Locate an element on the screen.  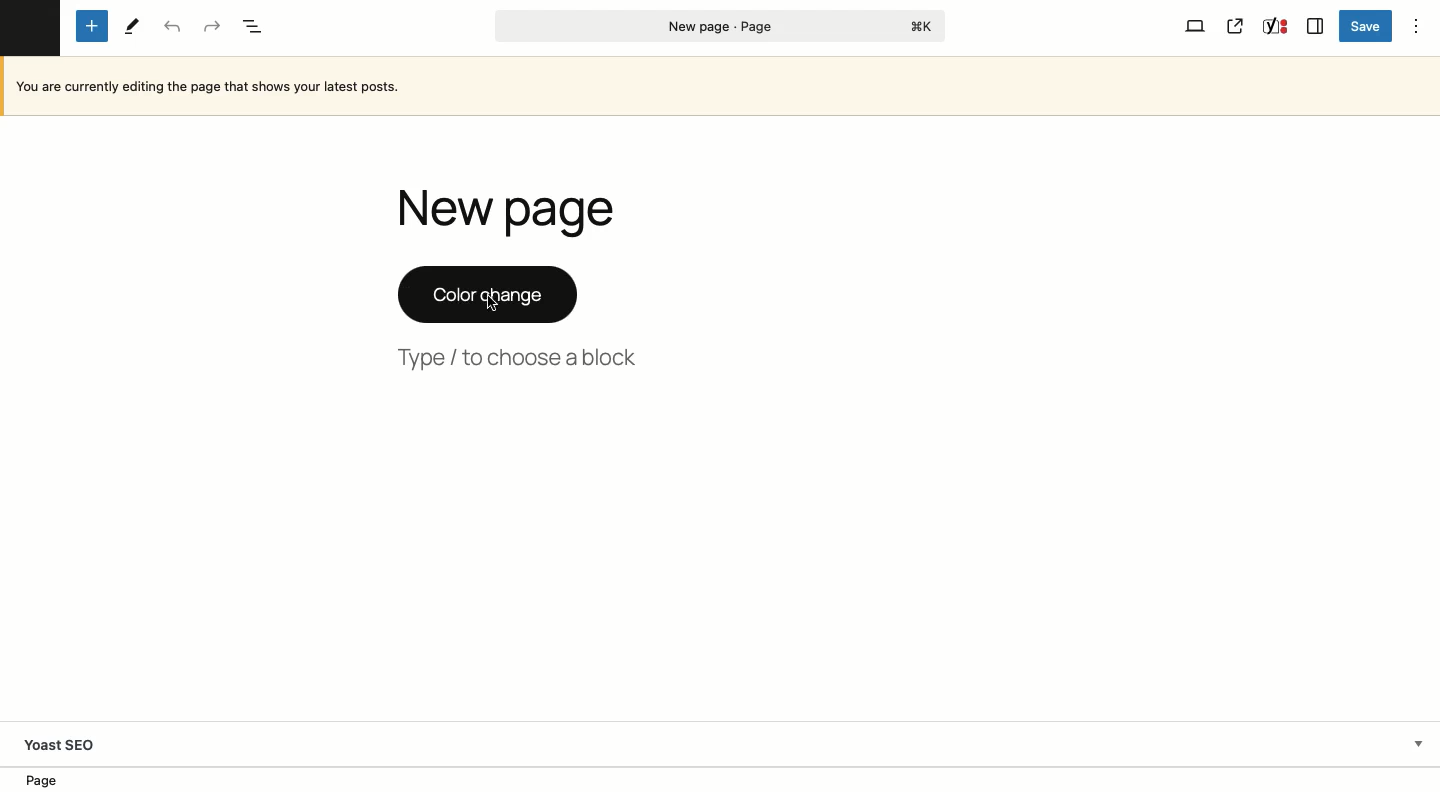
cursor is located at coordinates (494, 304).